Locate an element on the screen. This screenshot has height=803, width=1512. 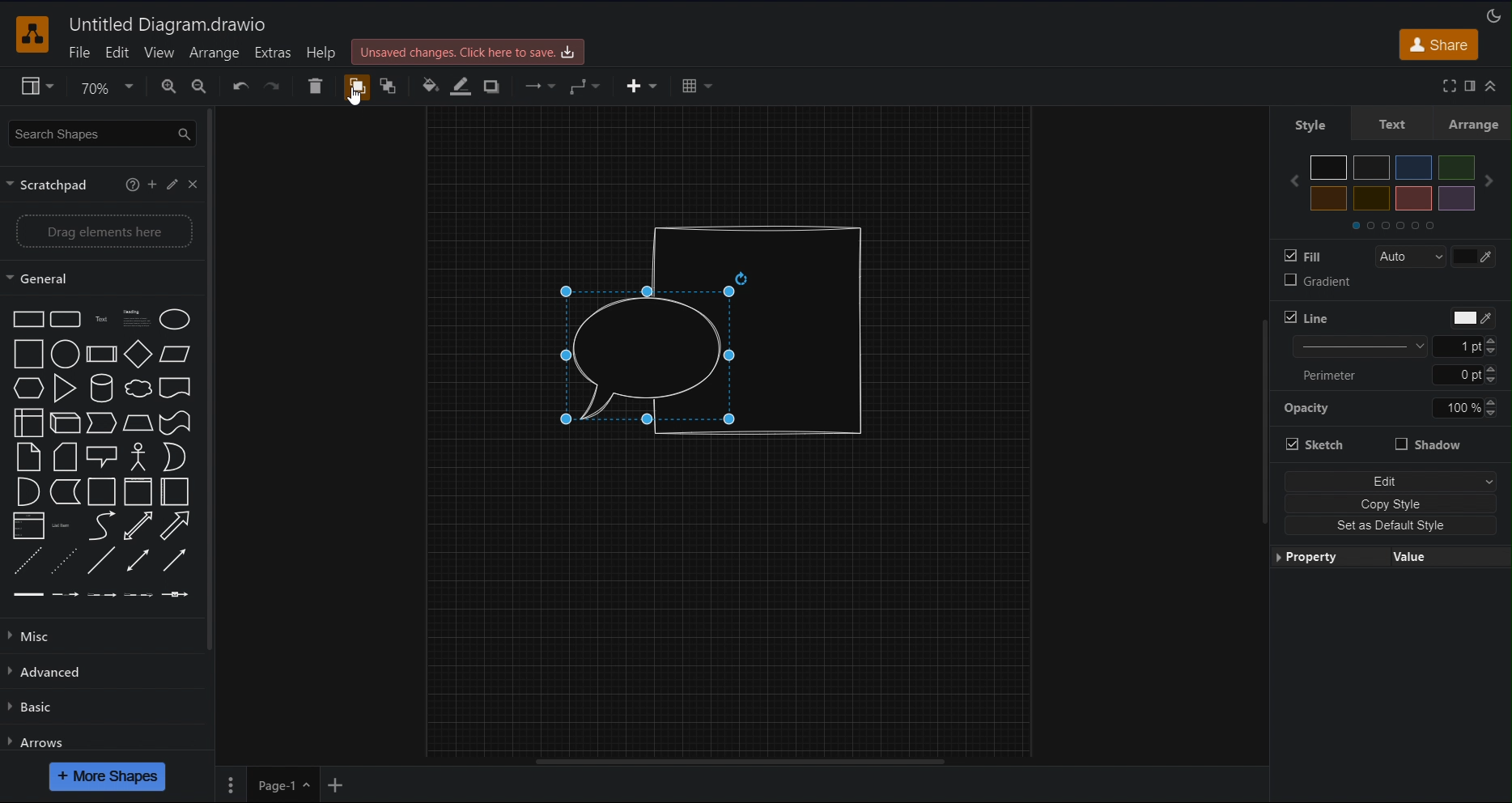
Circle is located at coordinates (66, 354).